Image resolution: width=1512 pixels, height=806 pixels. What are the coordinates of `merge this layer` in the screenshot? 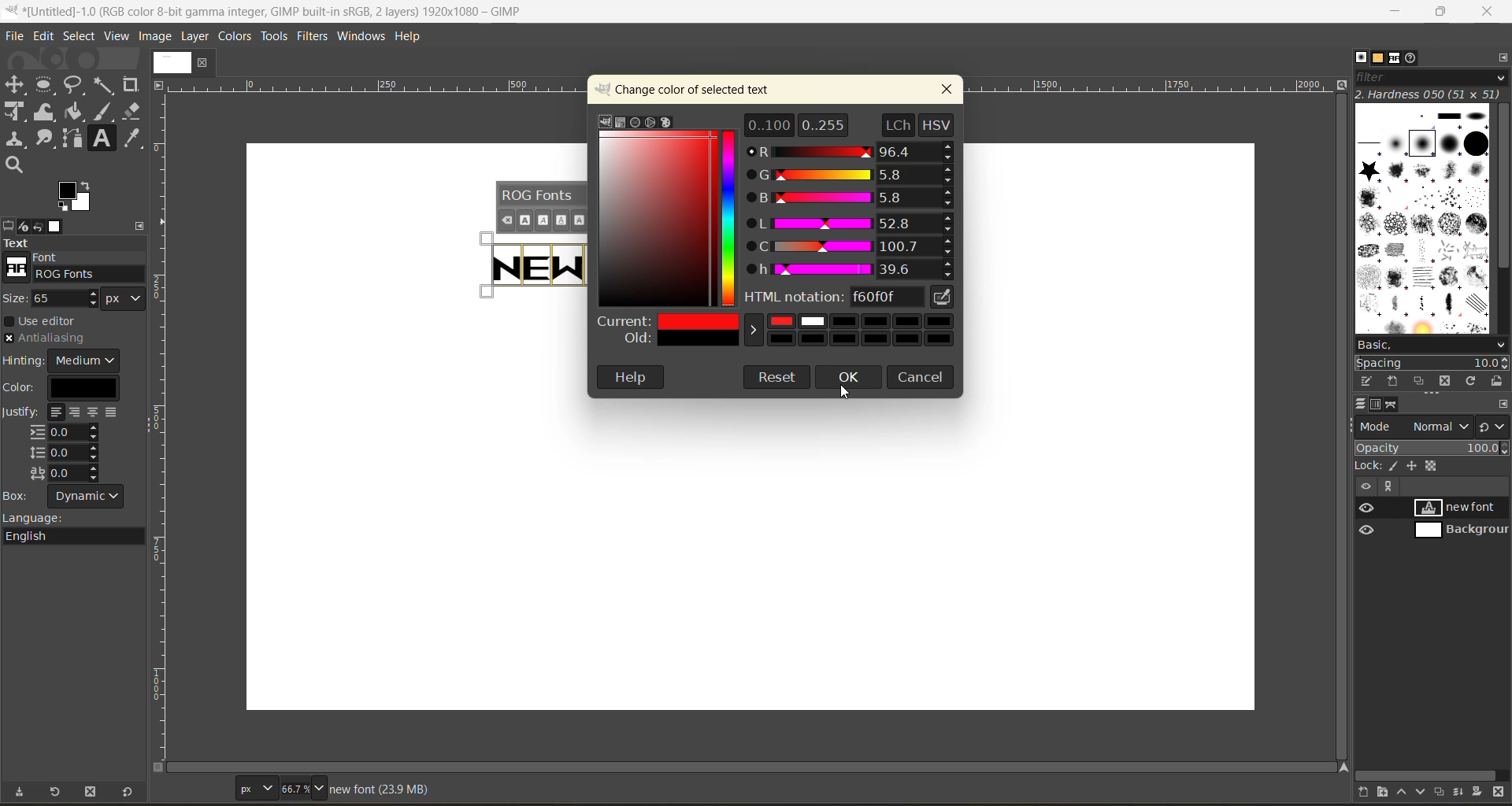 It's located at (1464, 793).